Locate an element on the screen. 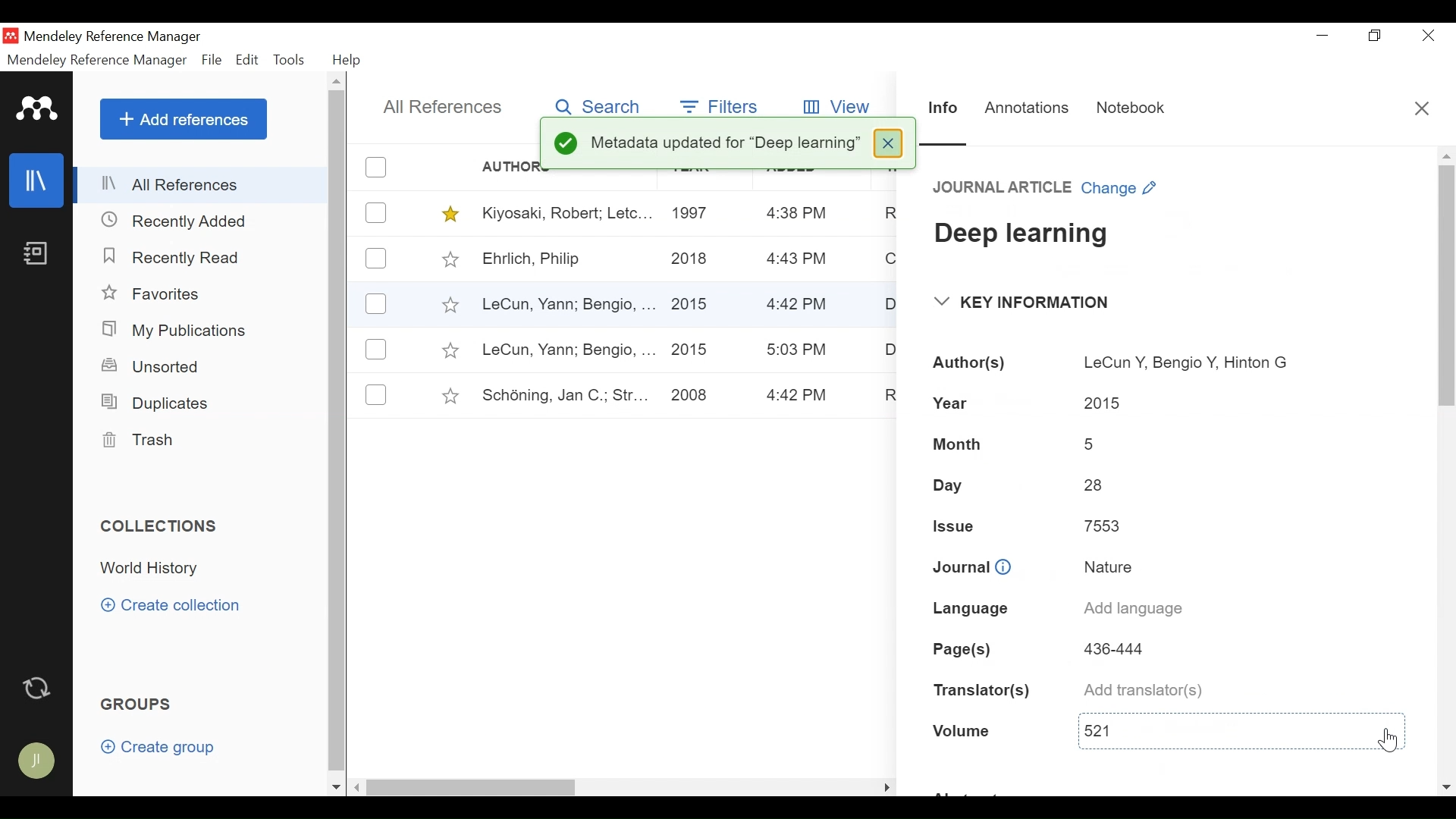 The image size is (1456, 819). Deep learning is located at coordinates (1023, 234).